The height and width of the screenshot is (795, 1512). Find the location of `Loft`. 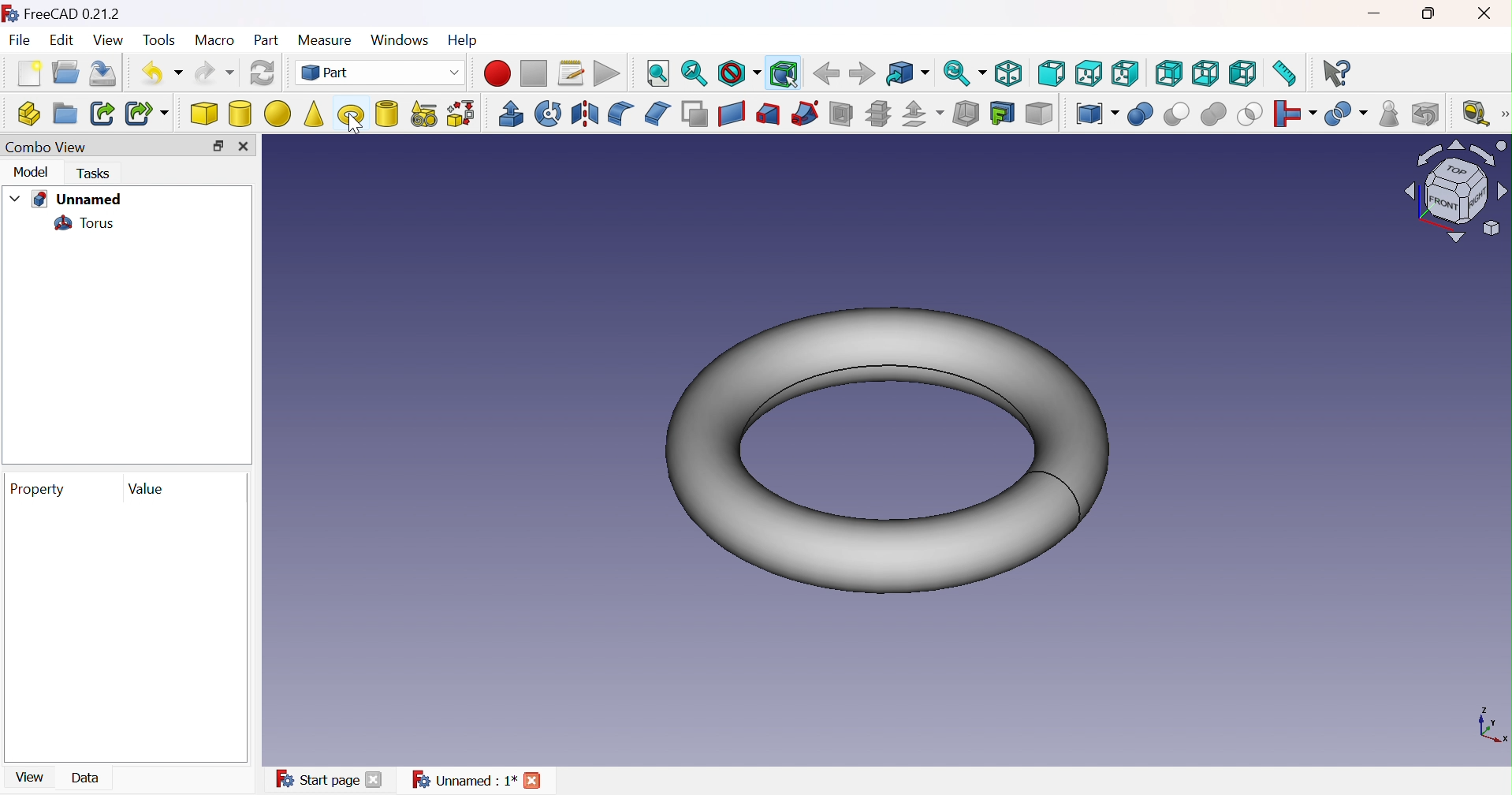

Loft is located at coordinates (769, 114).